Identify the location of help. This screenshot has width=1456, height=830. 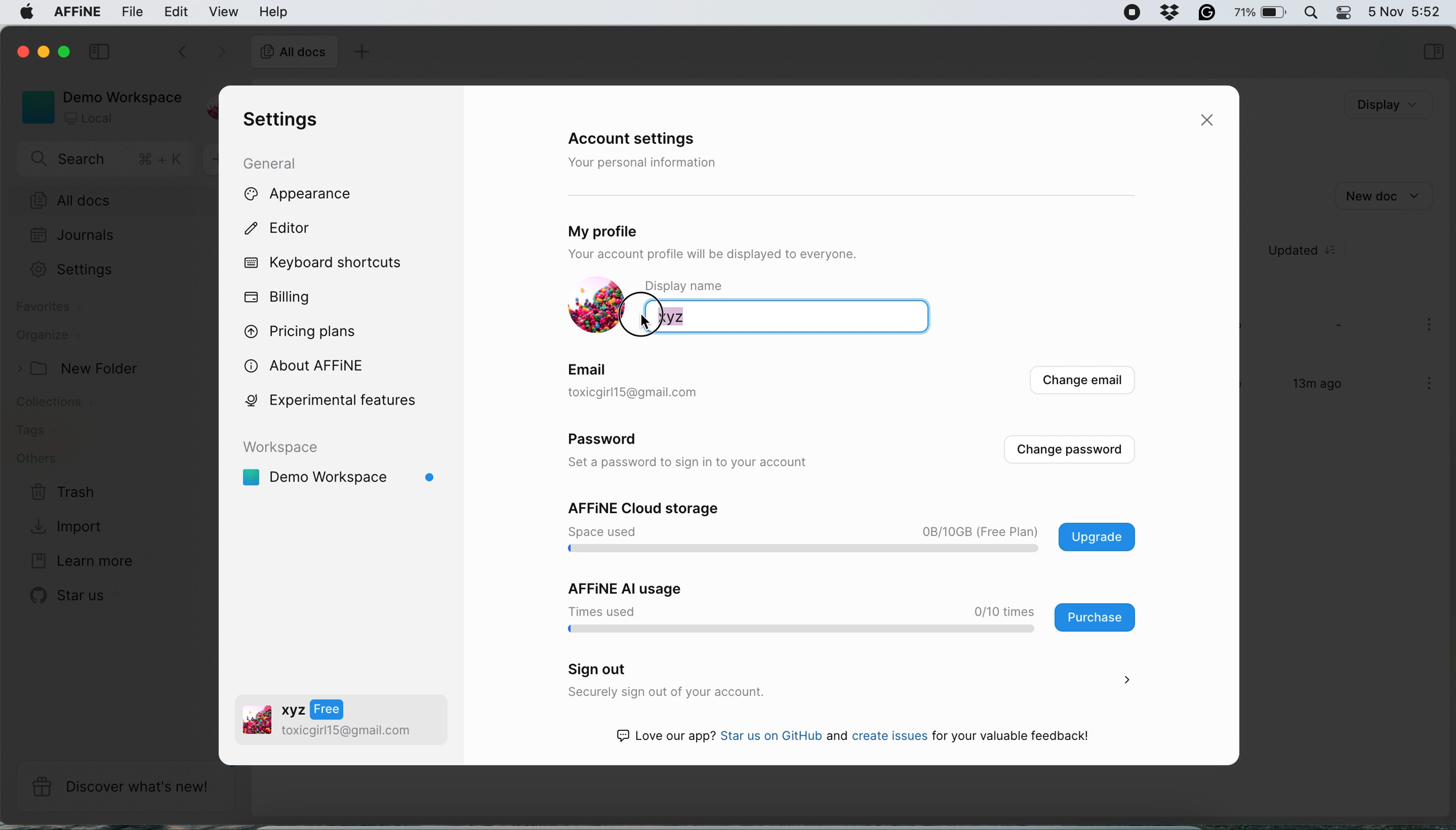
(273, 11).